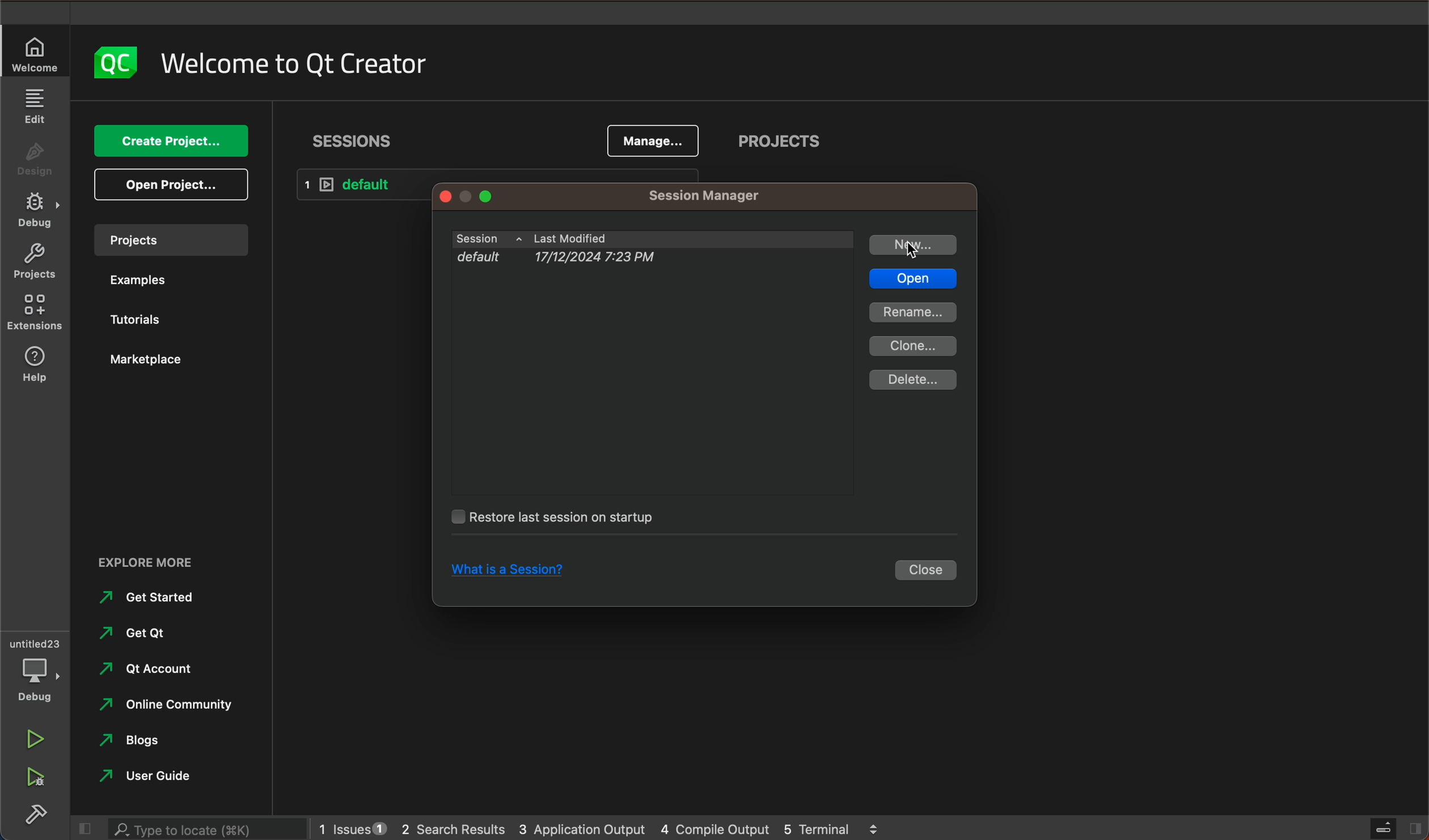  Describe the element at coordinates (152, 359) in the screenshot. I see `marketplace` at that location.